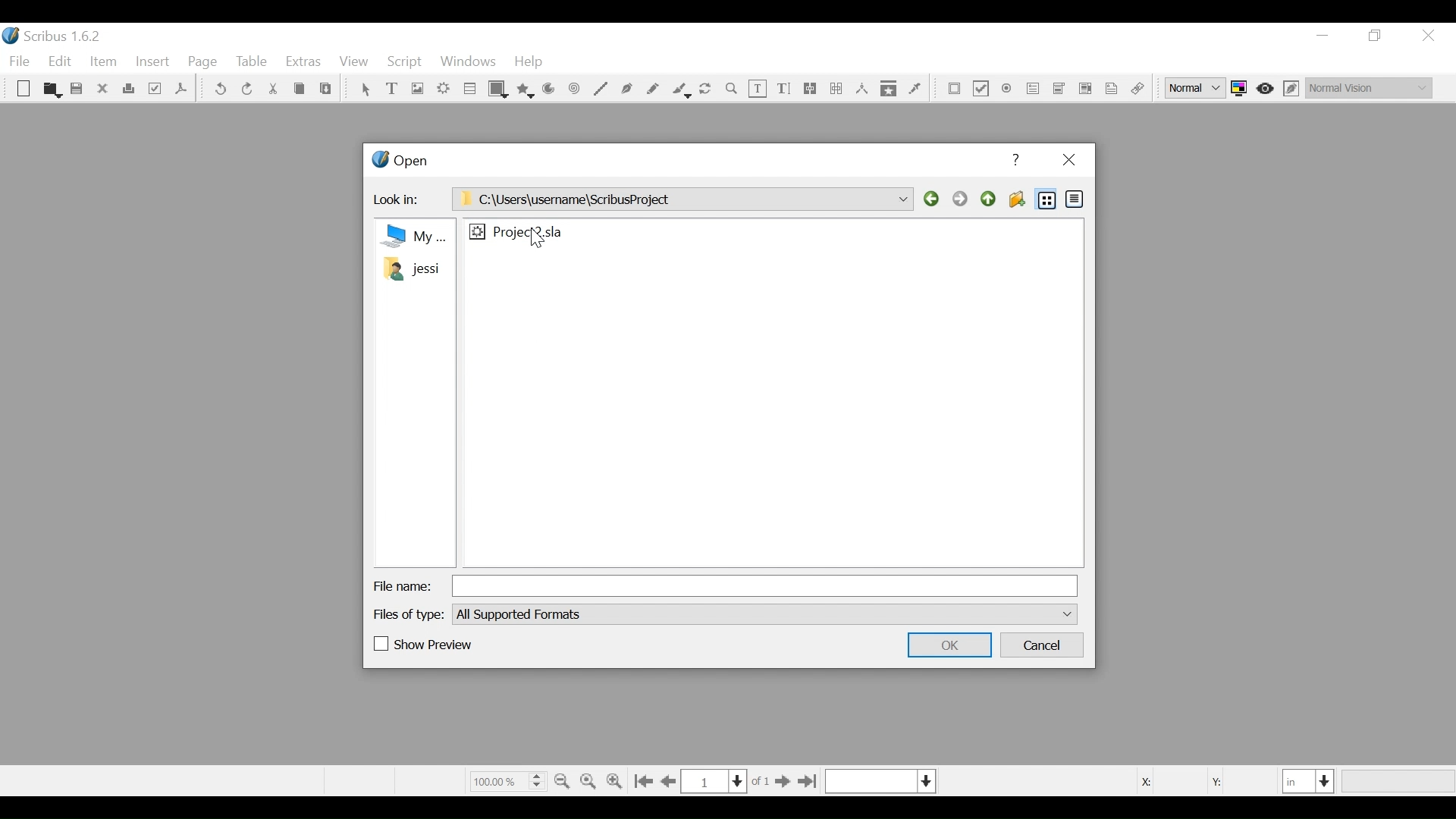 The height and width of the screenshot is (819, 1456). I want to click on Select the visual appearance of the display, so click(1368, 86).